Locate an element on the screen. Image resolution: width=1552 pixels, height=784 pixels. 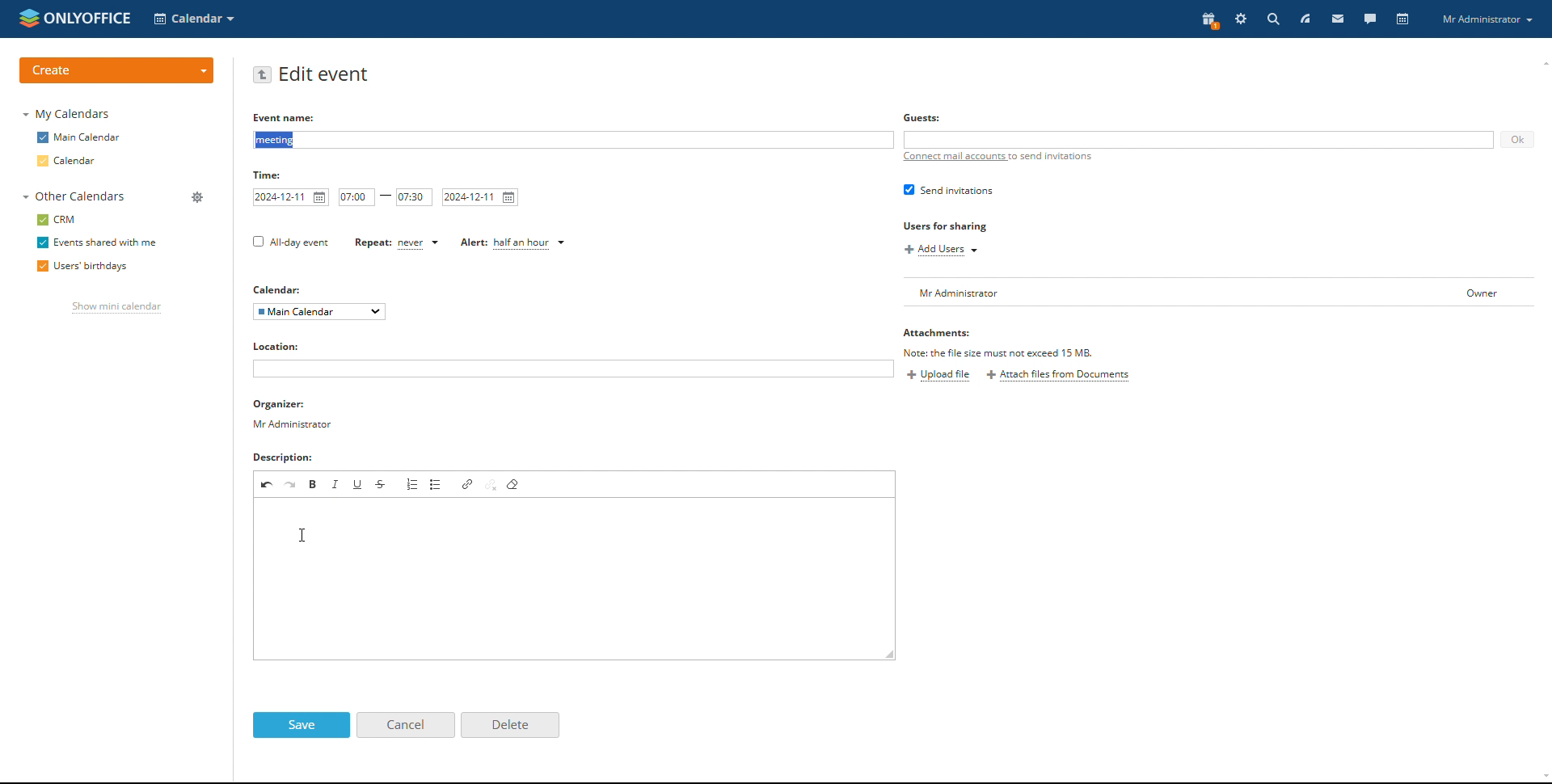
main calendar is located at coordinates (79, 137).